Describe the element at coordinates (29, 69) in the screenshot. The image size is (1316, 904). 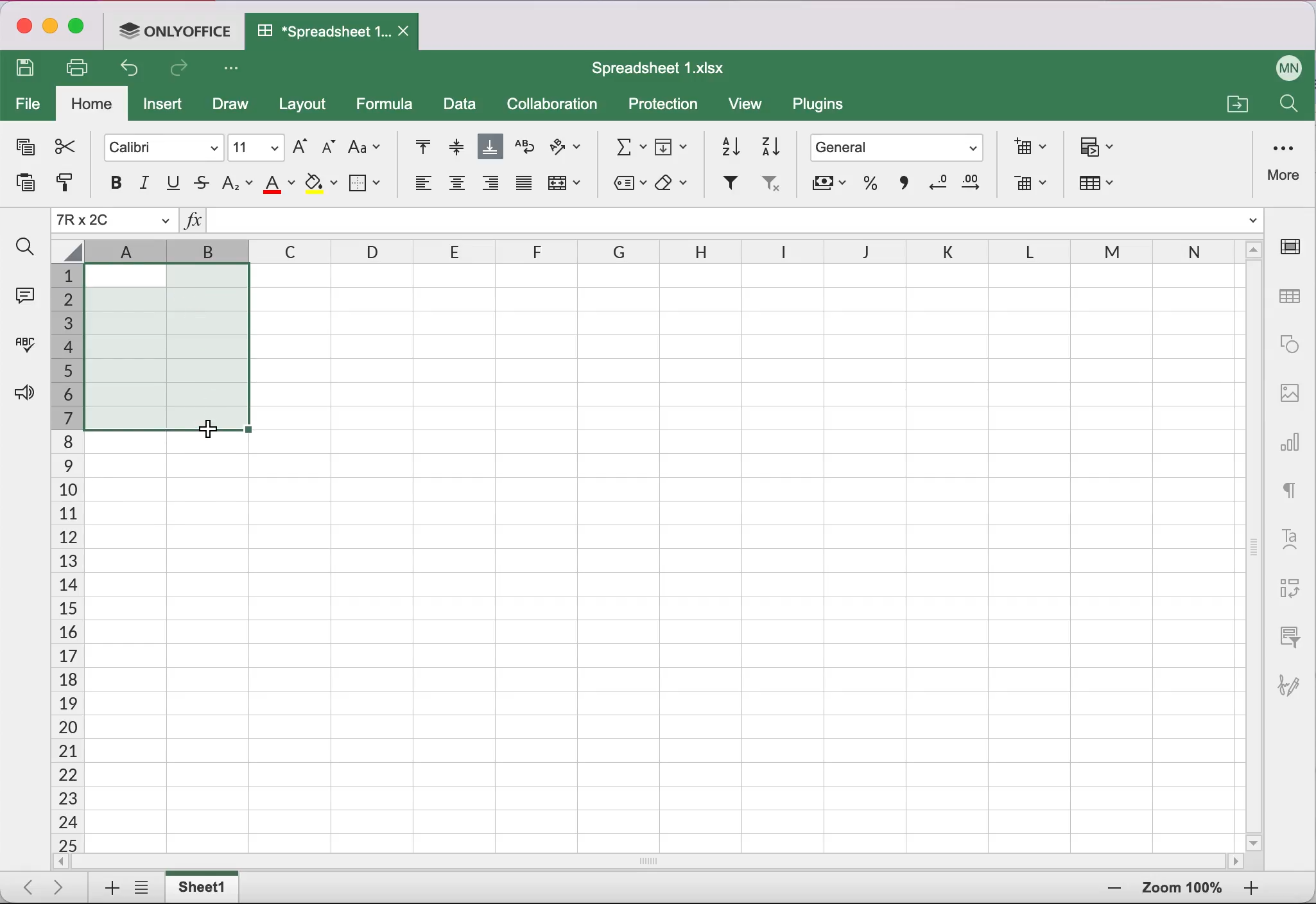
I see `save` at that location.